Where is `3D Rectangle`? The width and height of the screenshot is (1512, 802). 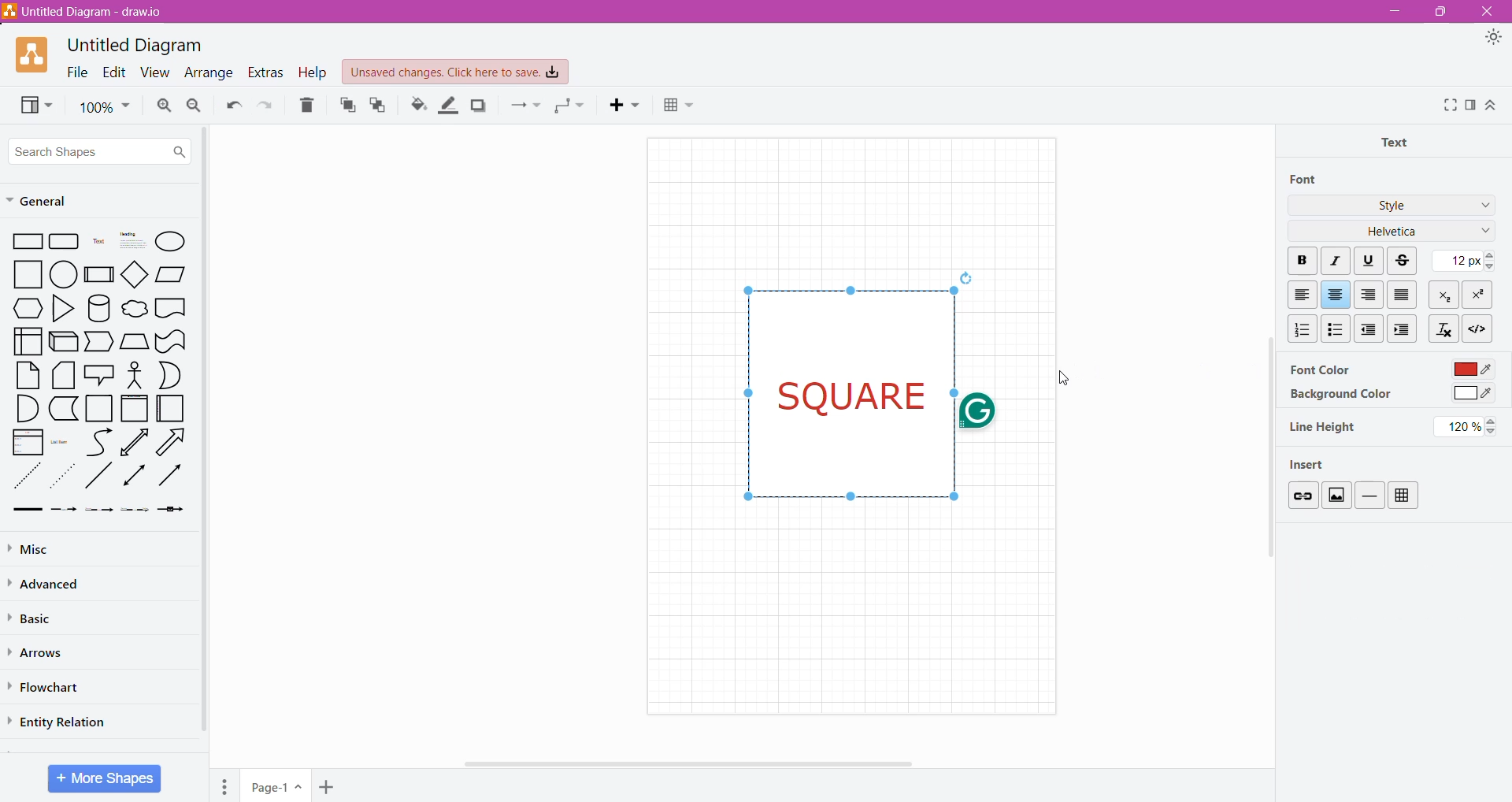
3D Rectangle is located at coordinates (63, 340).